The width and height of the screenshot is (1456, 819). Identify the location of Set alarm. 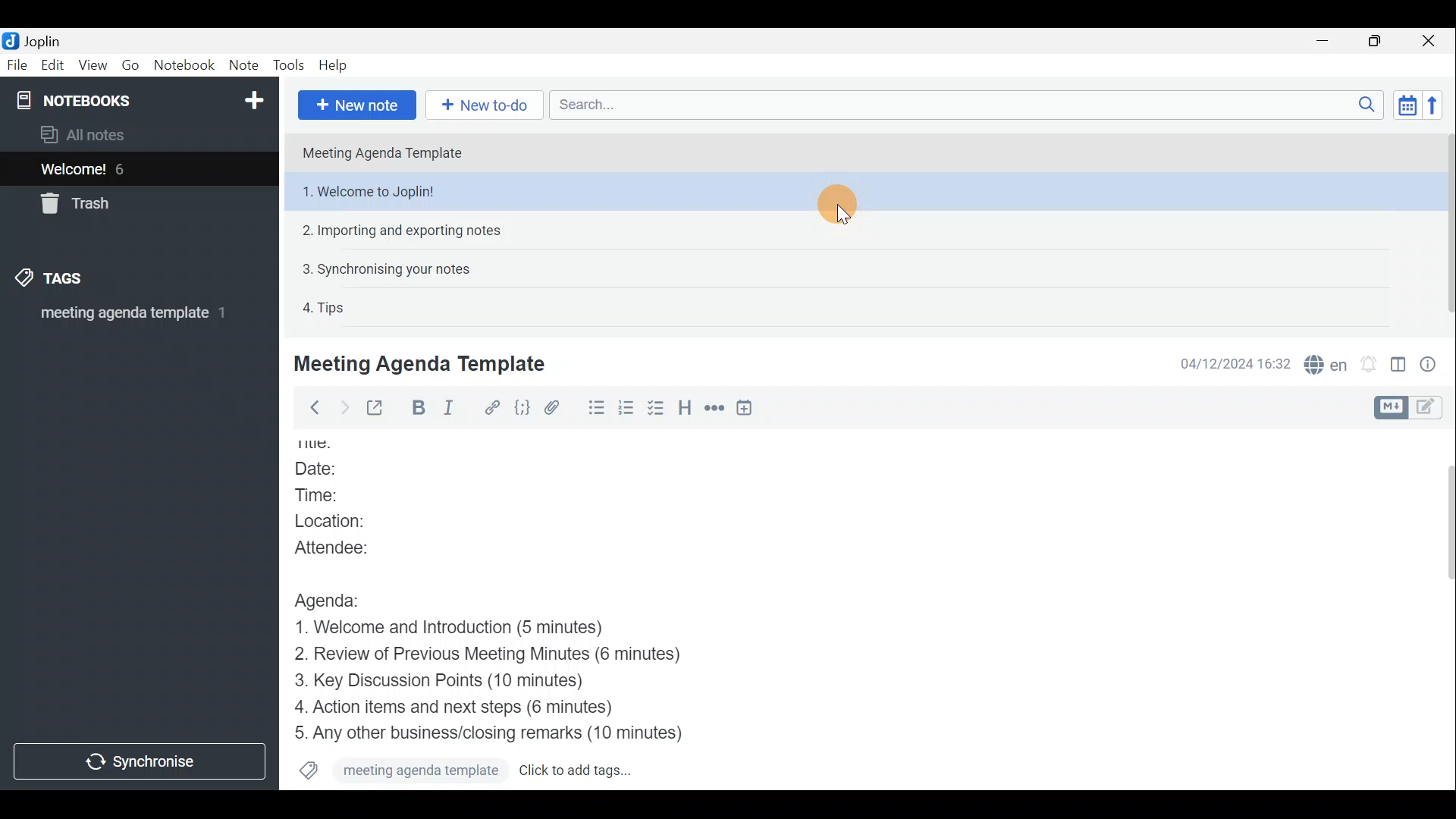
(1370, 364).